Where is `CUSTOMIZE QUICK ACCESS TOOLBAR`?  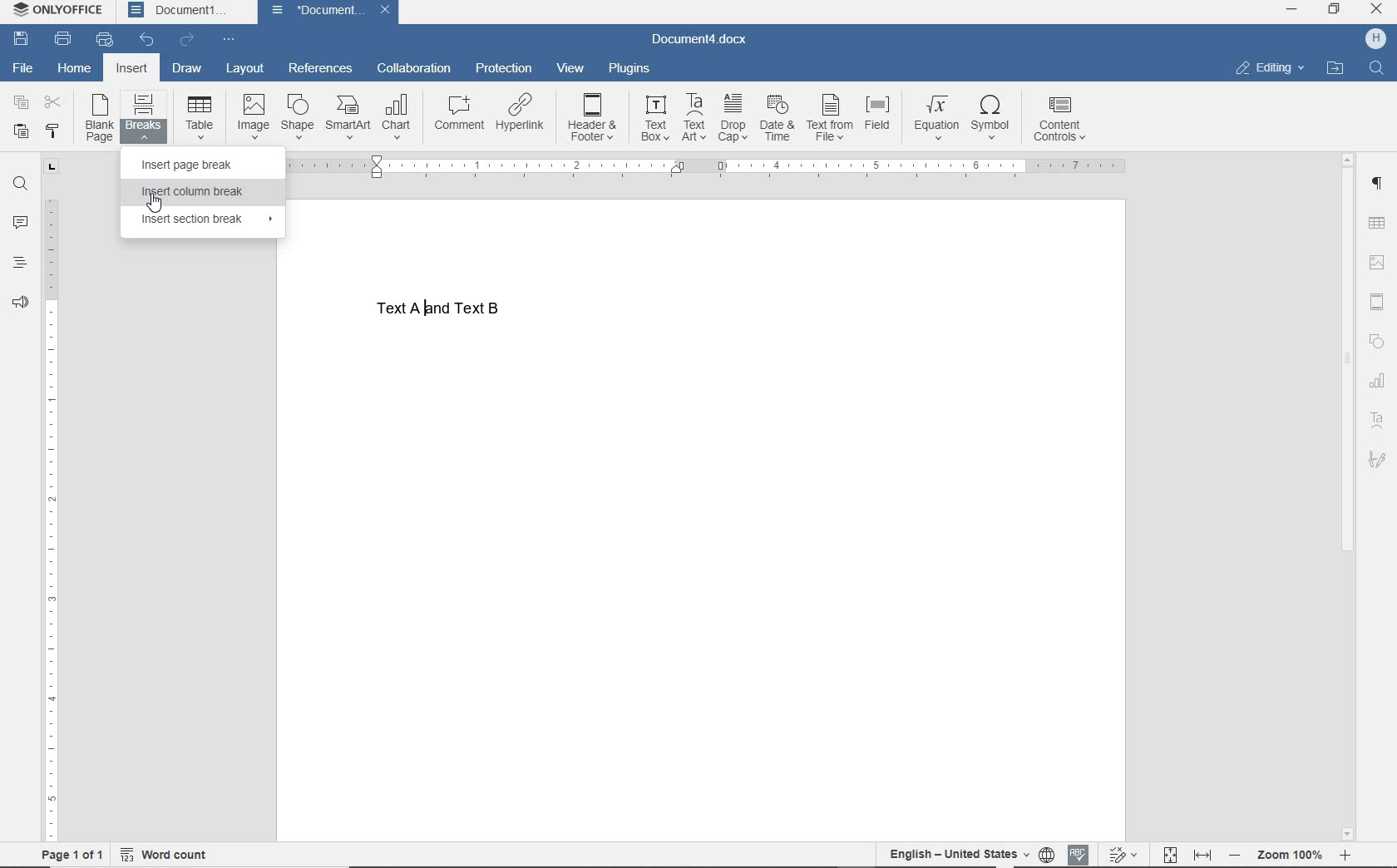
CUSTOMIZE QUICK ACCESS TOOLBAR is located at coordinates (231, 37).